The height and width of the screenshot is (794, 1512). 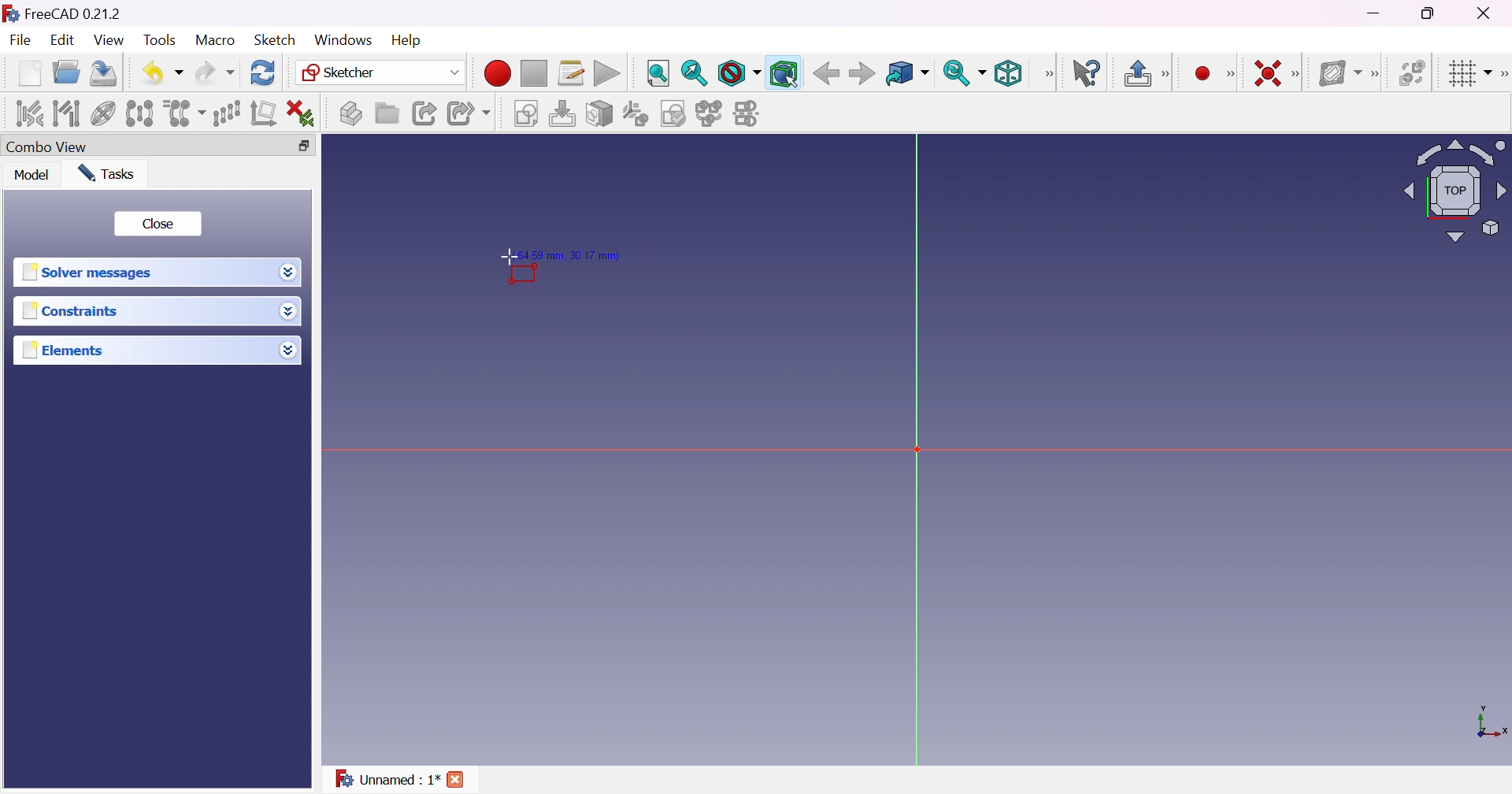 I want to click on Drop down, so click(x=288, y=310).